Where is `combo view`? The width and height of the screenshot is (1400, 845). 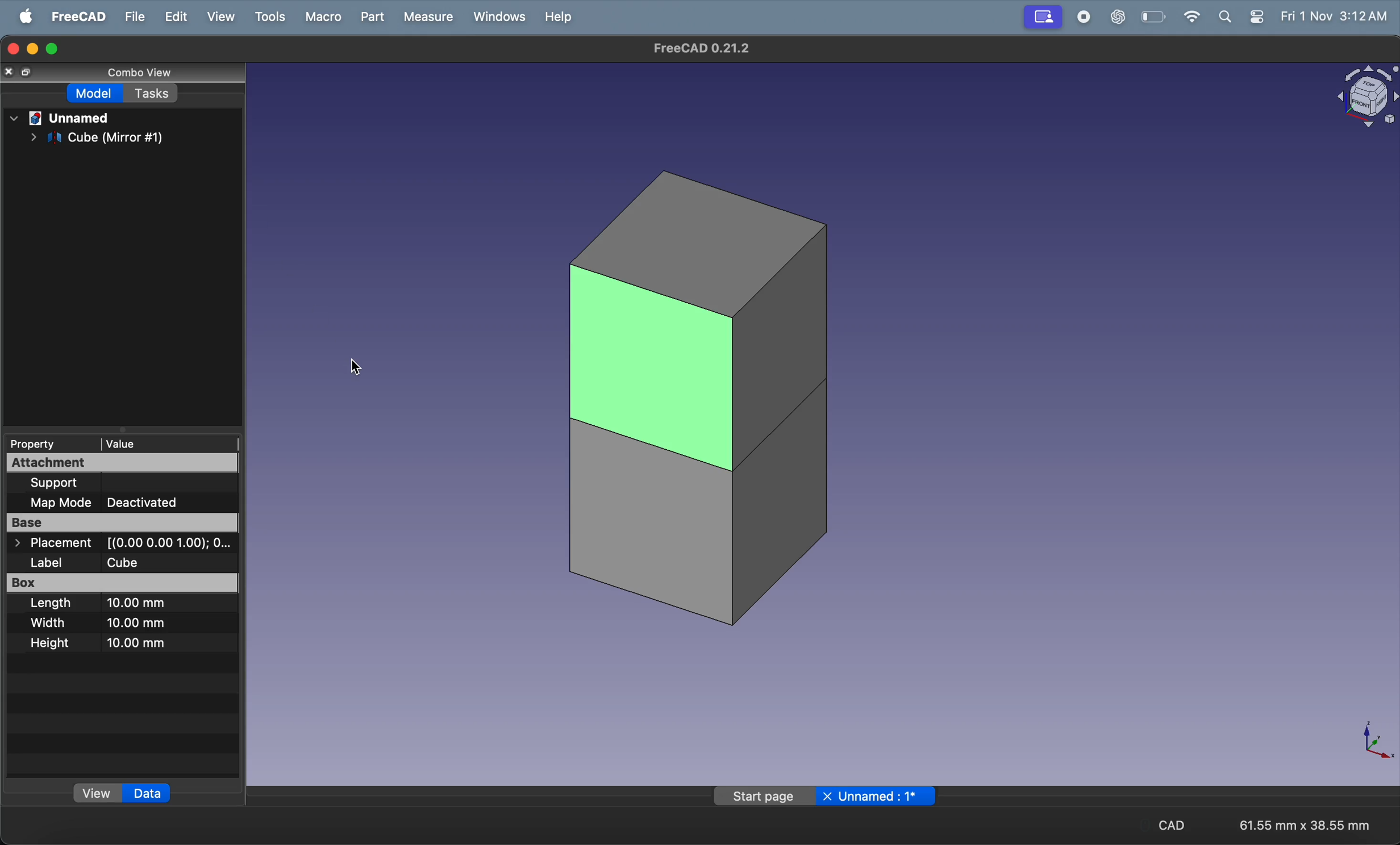 combo view is located at coordinates (140, 74).